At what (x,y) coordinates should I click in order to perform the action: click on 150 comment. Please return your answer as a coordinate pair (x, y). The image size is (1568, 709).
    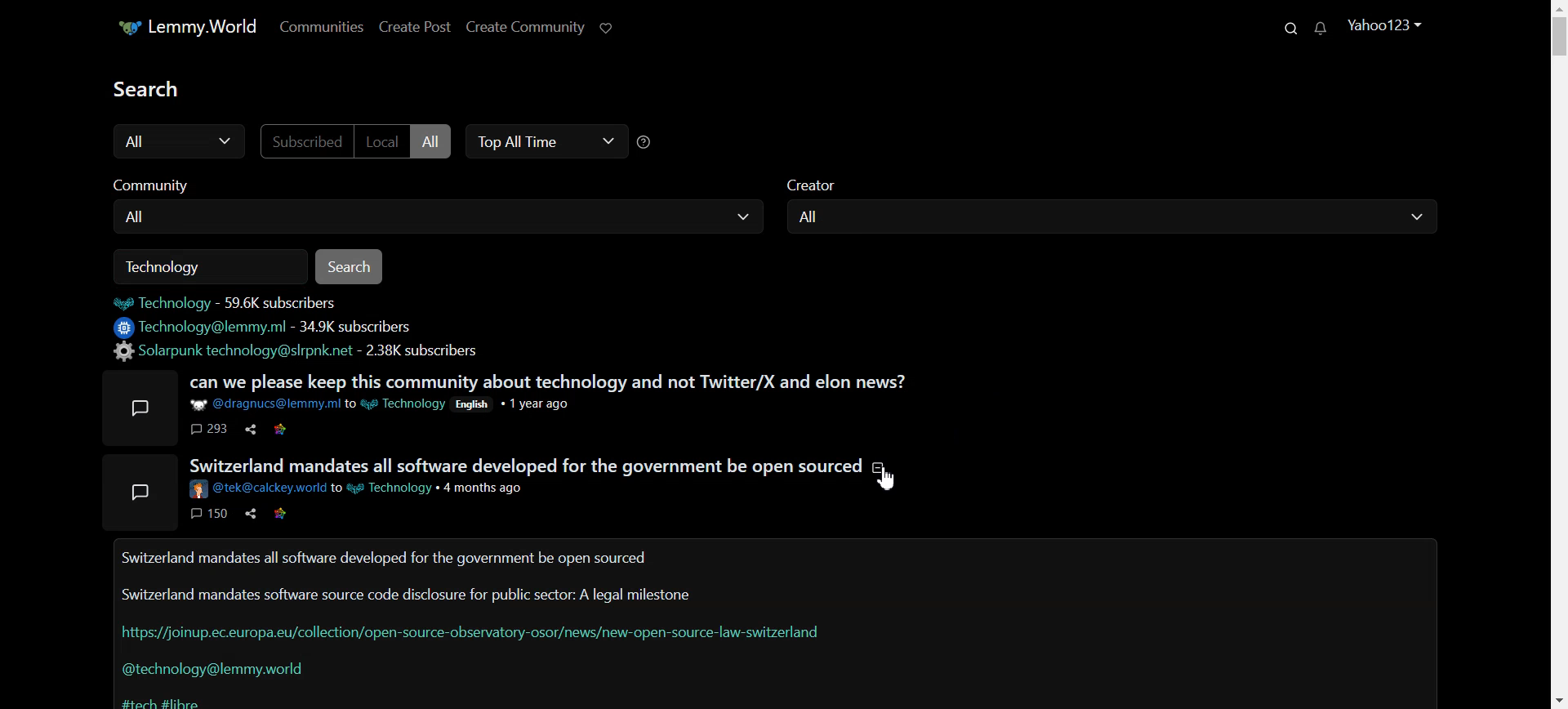
    Looking at the image, I should click on (209, 514).